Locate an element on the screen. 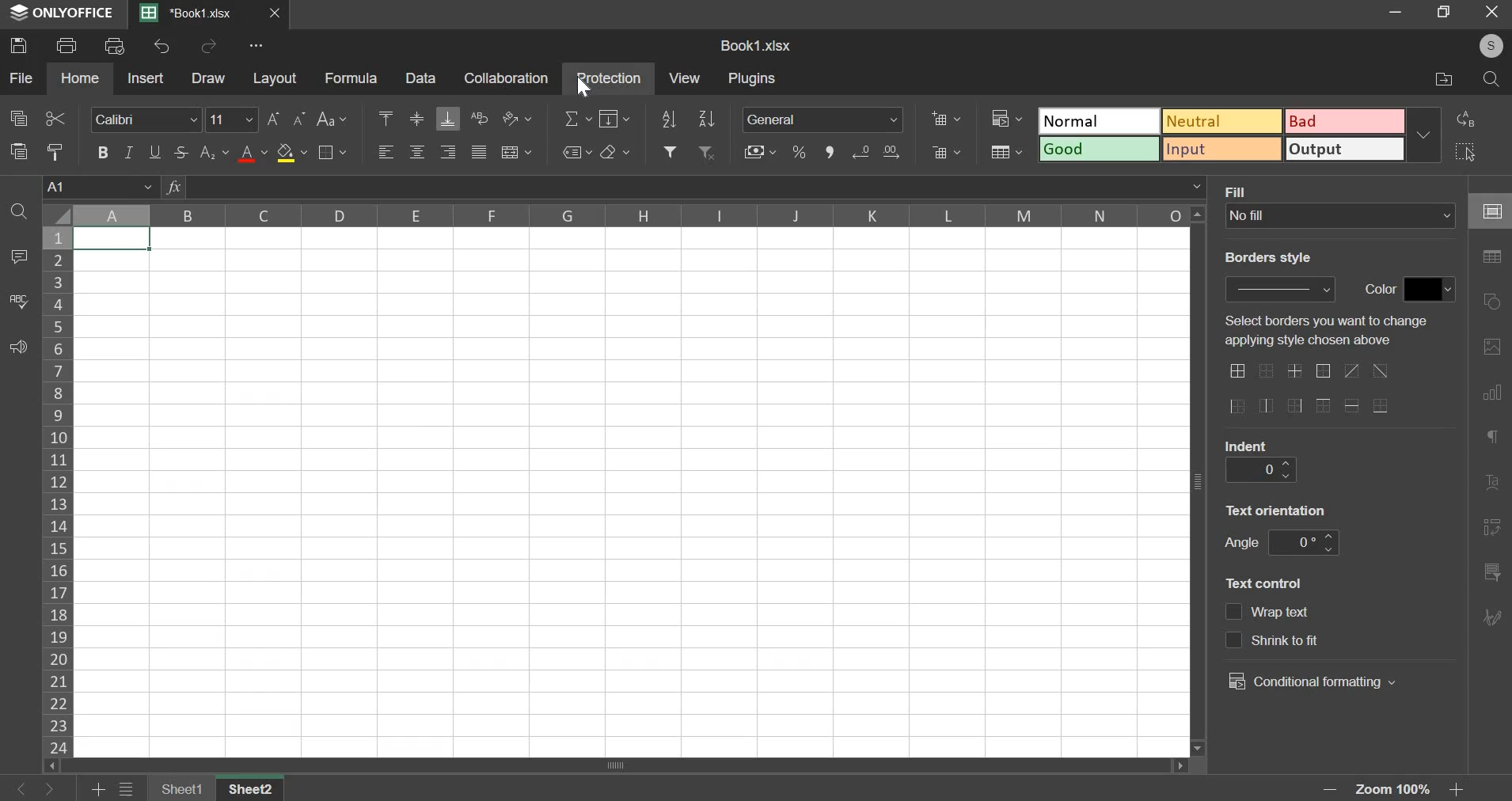 This screenshot has height=801, width=1512. copy is located at coordinates (18, 117).